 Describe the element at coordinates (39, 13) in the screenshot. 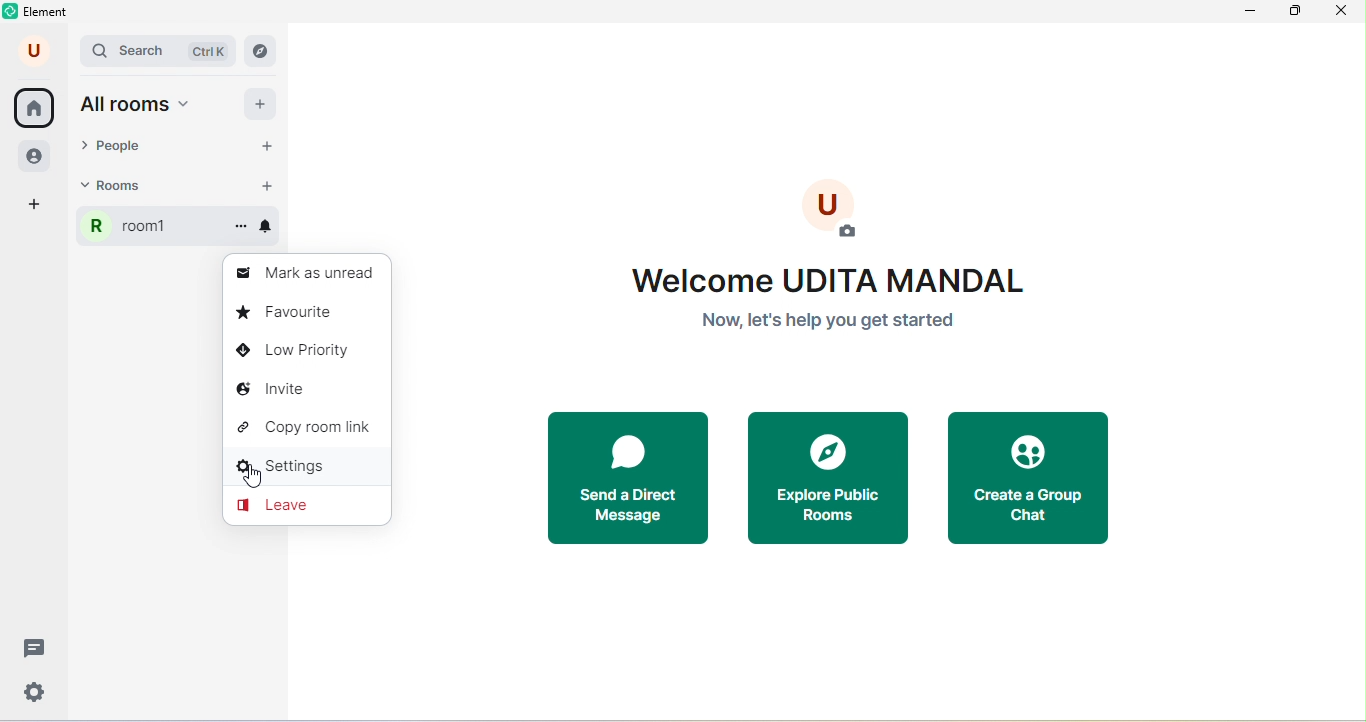

I see `element` at that location.